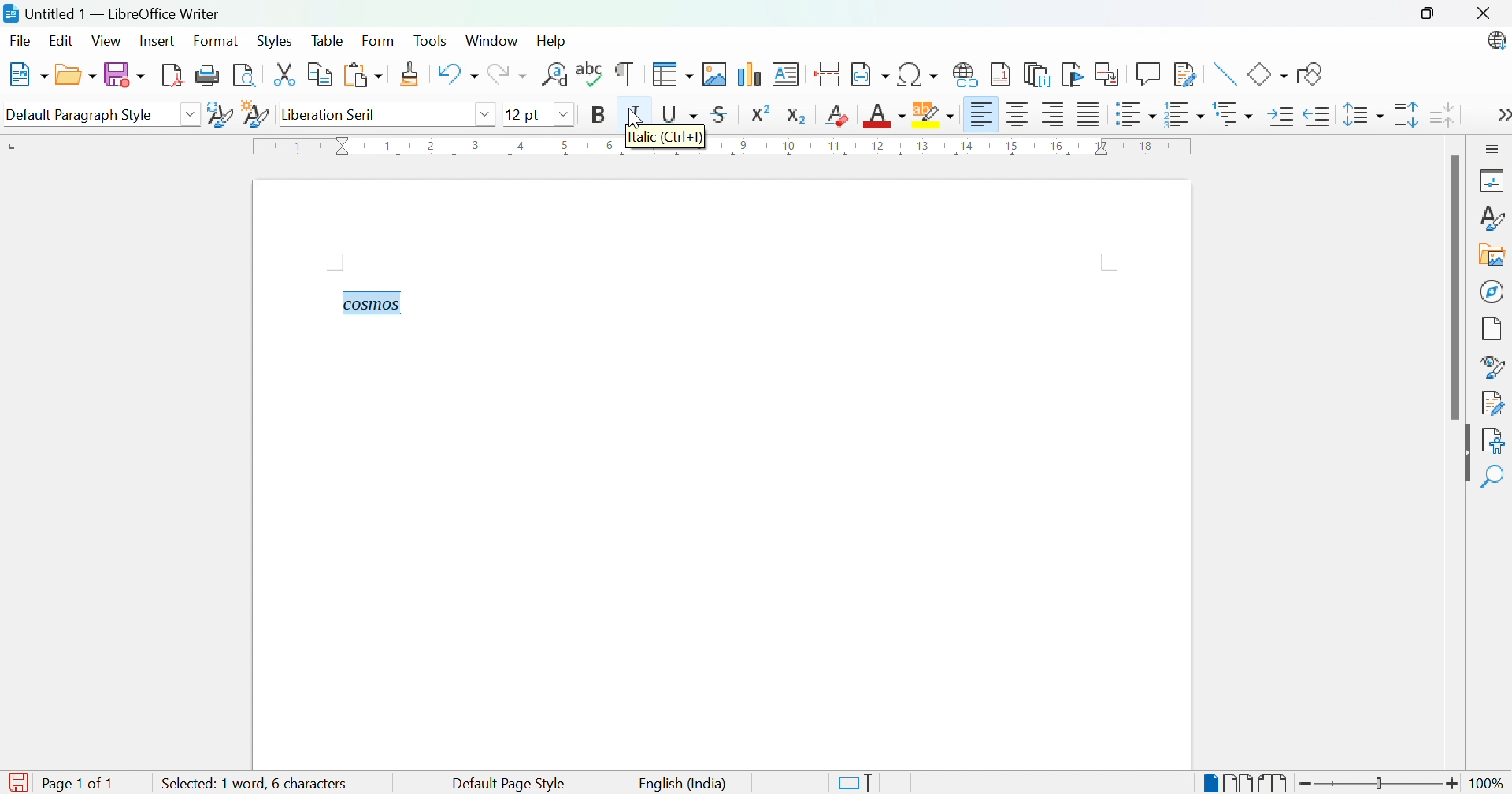 This screenshot has width=1512, height=794. What do you see at coordinates (1308, 785) in the screenshot?
I see `Zoom out` at bounding box center [1308, 785].